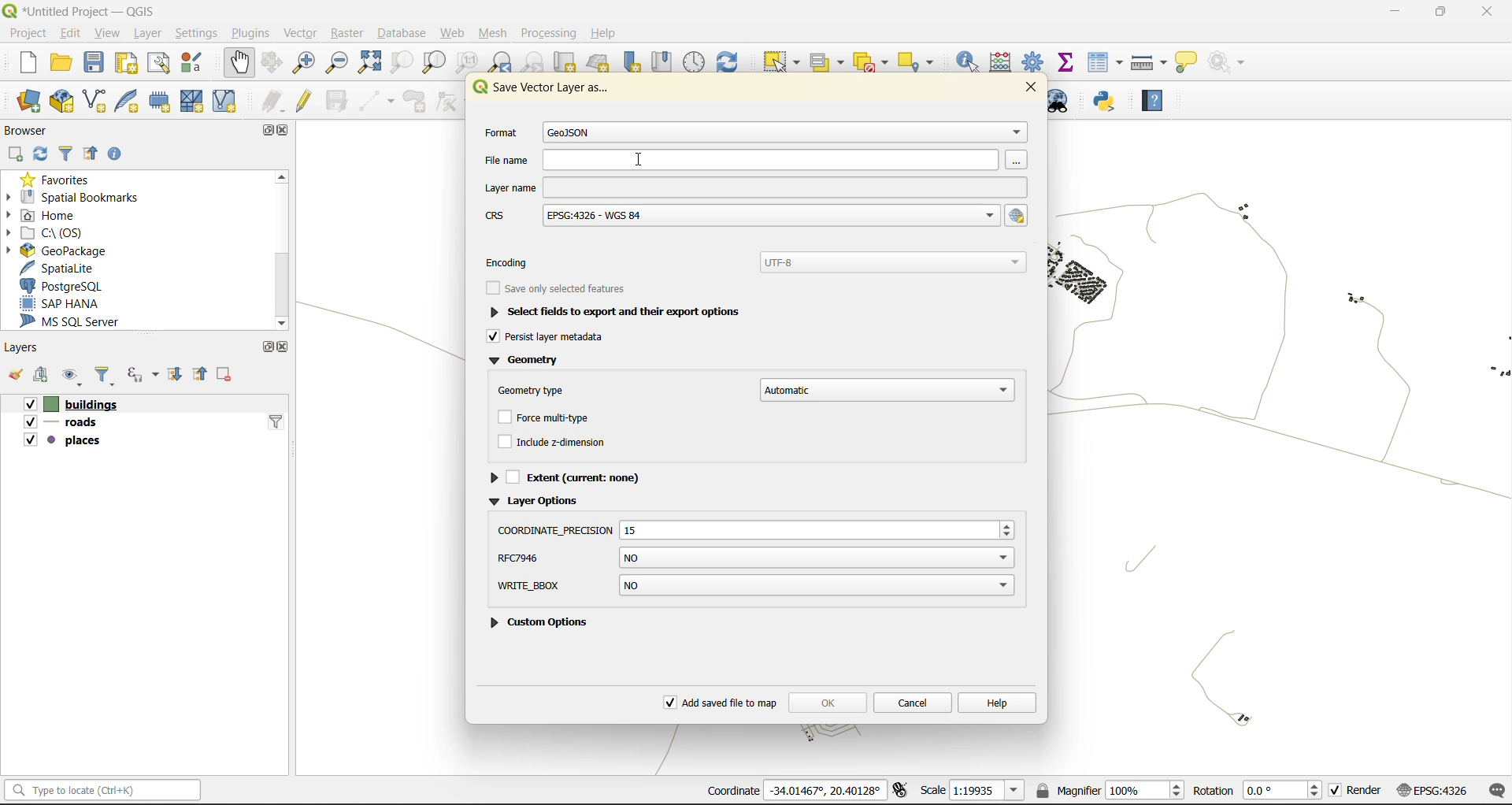  What do you see at coordinates (433, 63) in the screenshot?
I see `zoom layer` at bounding box center [433, 63].